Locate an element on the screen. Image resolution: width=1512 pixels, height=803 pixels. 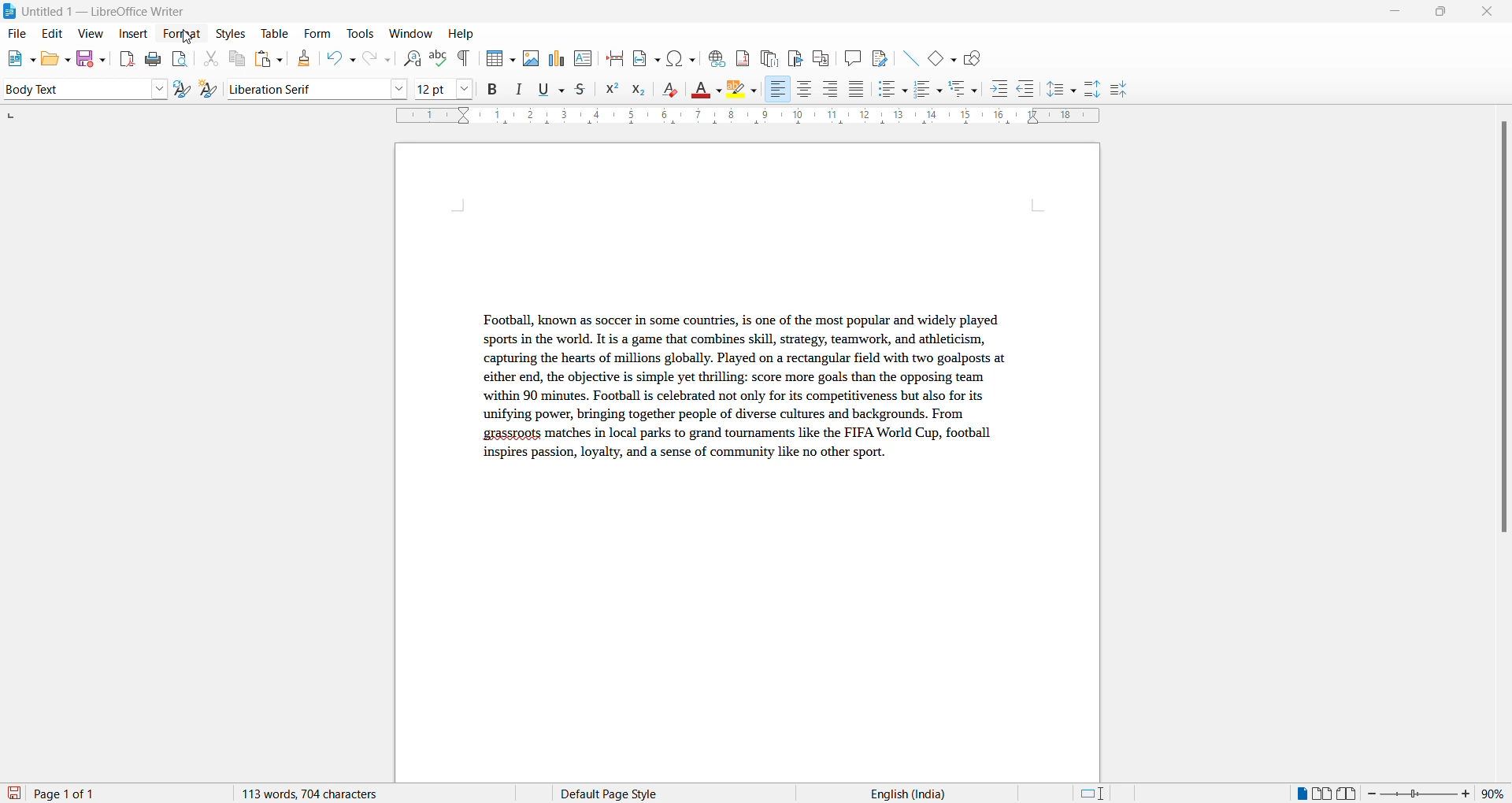
save is located at coordinates (15, 794).